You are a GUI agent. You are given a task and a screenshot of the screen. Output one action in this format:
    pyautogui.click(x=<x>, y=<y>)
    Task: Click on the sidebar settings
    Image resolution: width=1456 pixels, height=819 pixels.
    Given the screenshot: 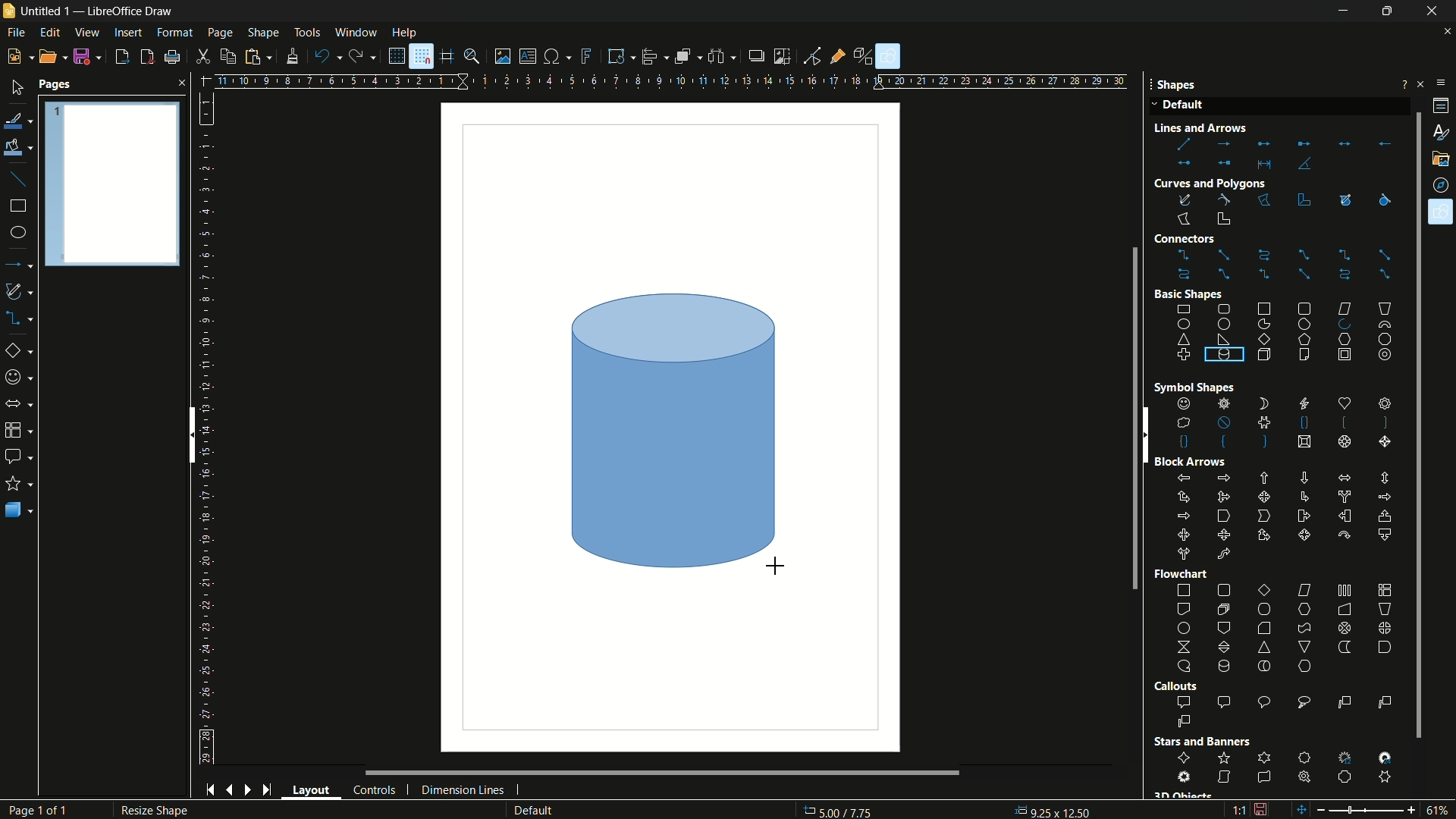 What is the action you would take?
    pyautogui.click(x=1439, y=83)
    